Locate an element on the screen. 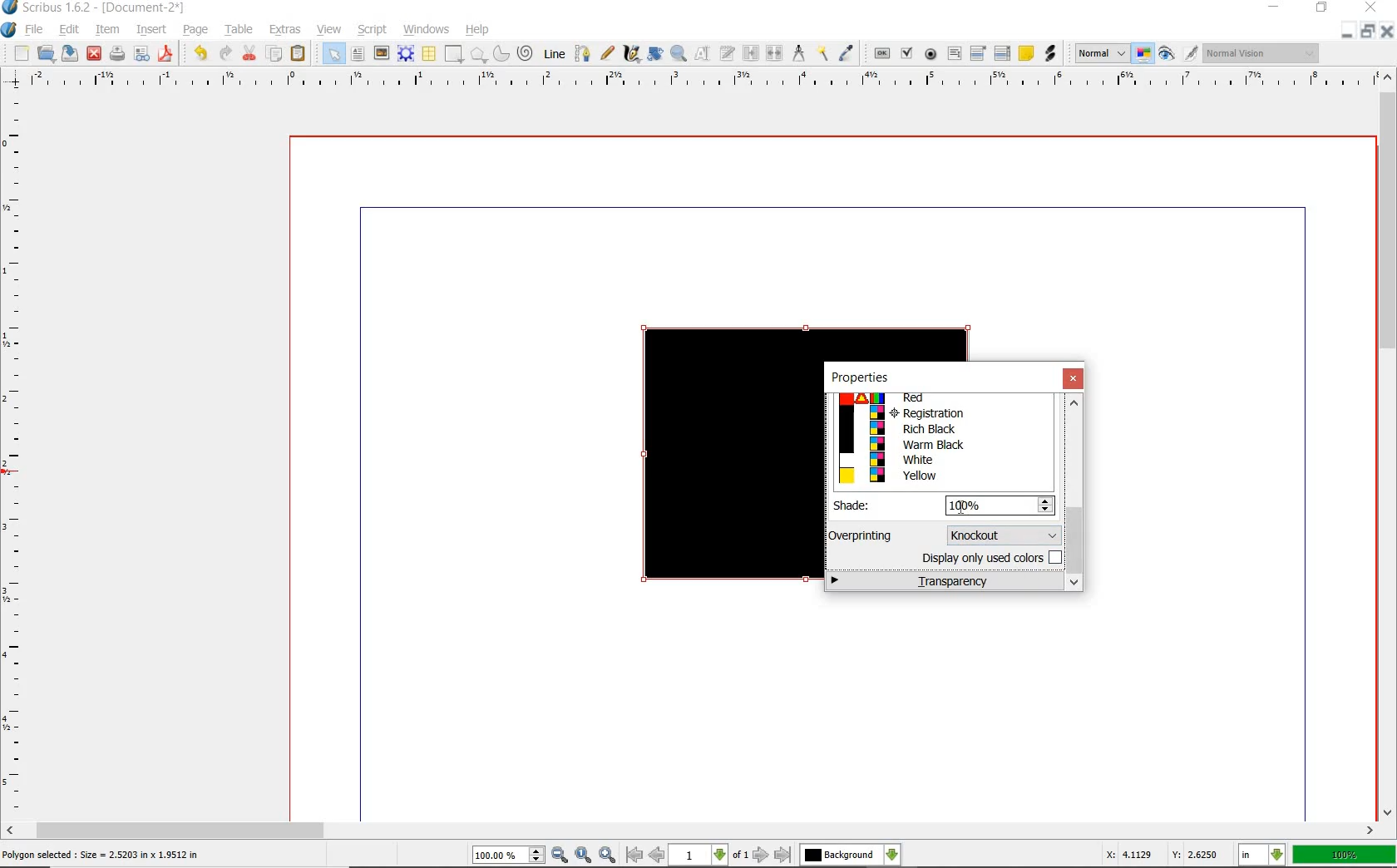 This screenshot has height=868, width=1397. display only used colors is located at coordinates (990, 560).